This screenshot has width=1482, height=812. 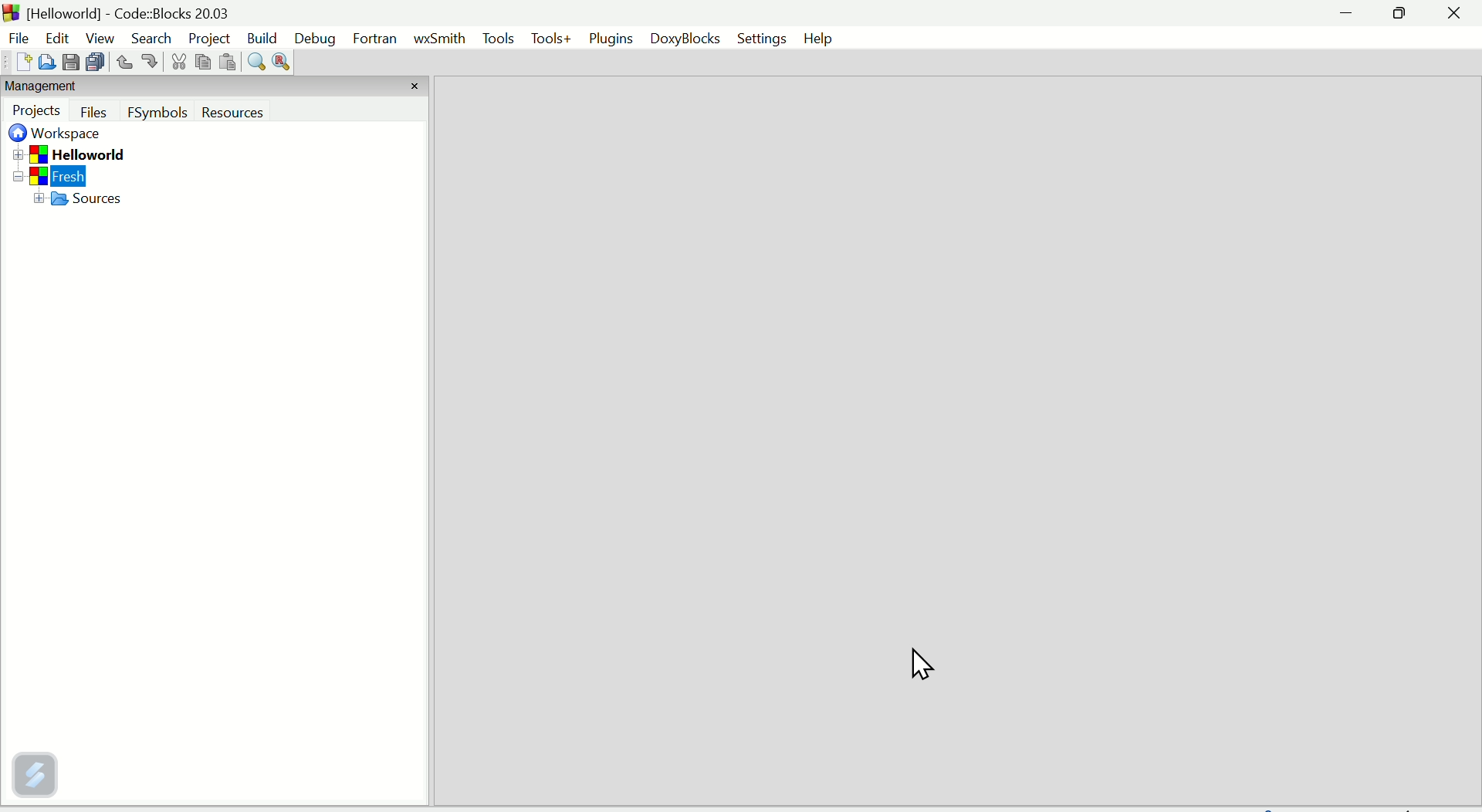 What do you see at coordinates (550, 39) in the screenshot?
I see `Tools` at bounding box center [550, 39].